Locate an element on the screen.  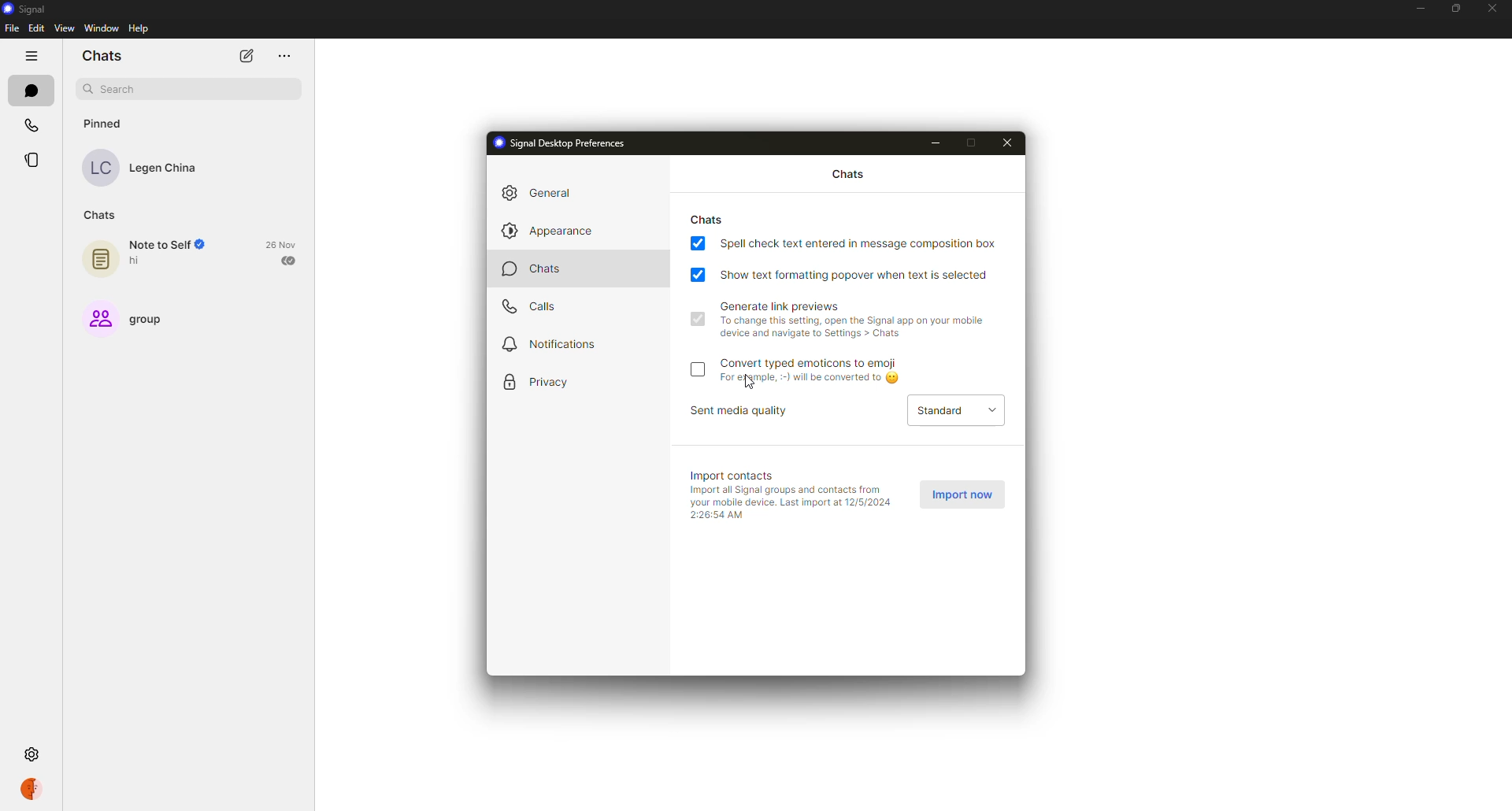
chats is located at coordinates (707, 220).